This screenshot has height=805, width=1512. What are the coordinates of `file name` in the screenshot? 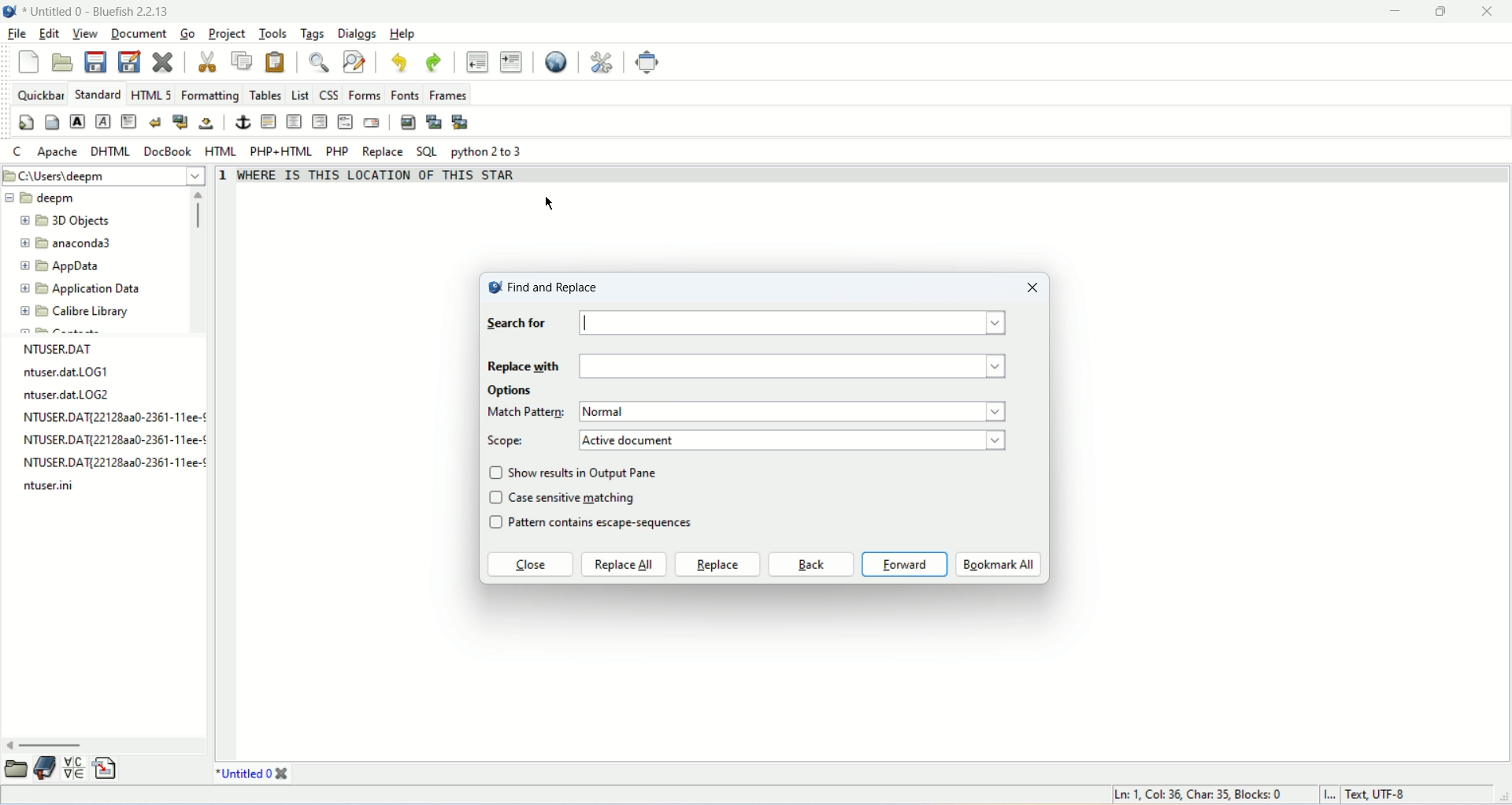 It's located at (114, 440).